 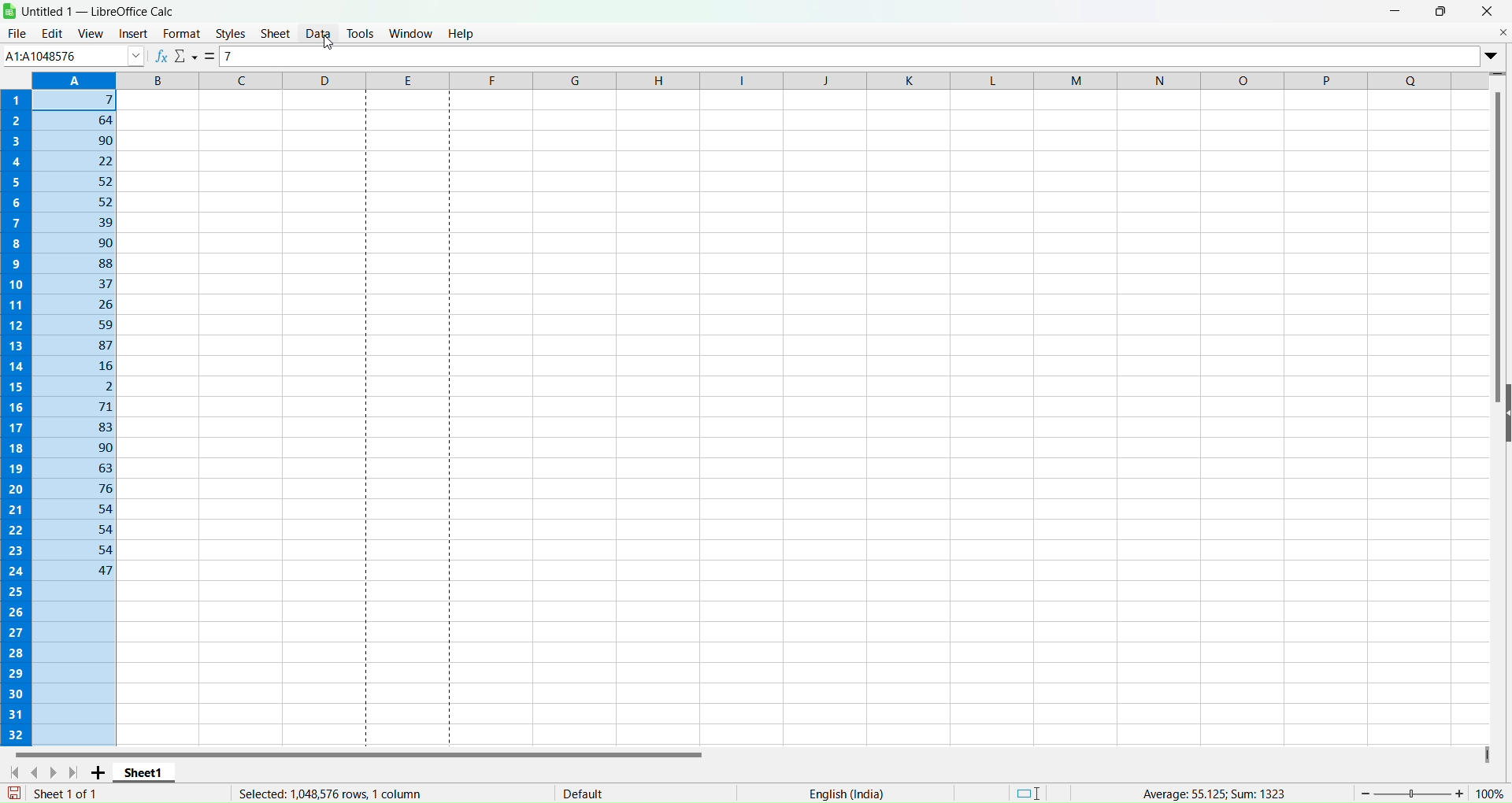 What do you see at coordinates (15, 793) in the screenshot?
I see `Save` at bounding box center [15, 793].